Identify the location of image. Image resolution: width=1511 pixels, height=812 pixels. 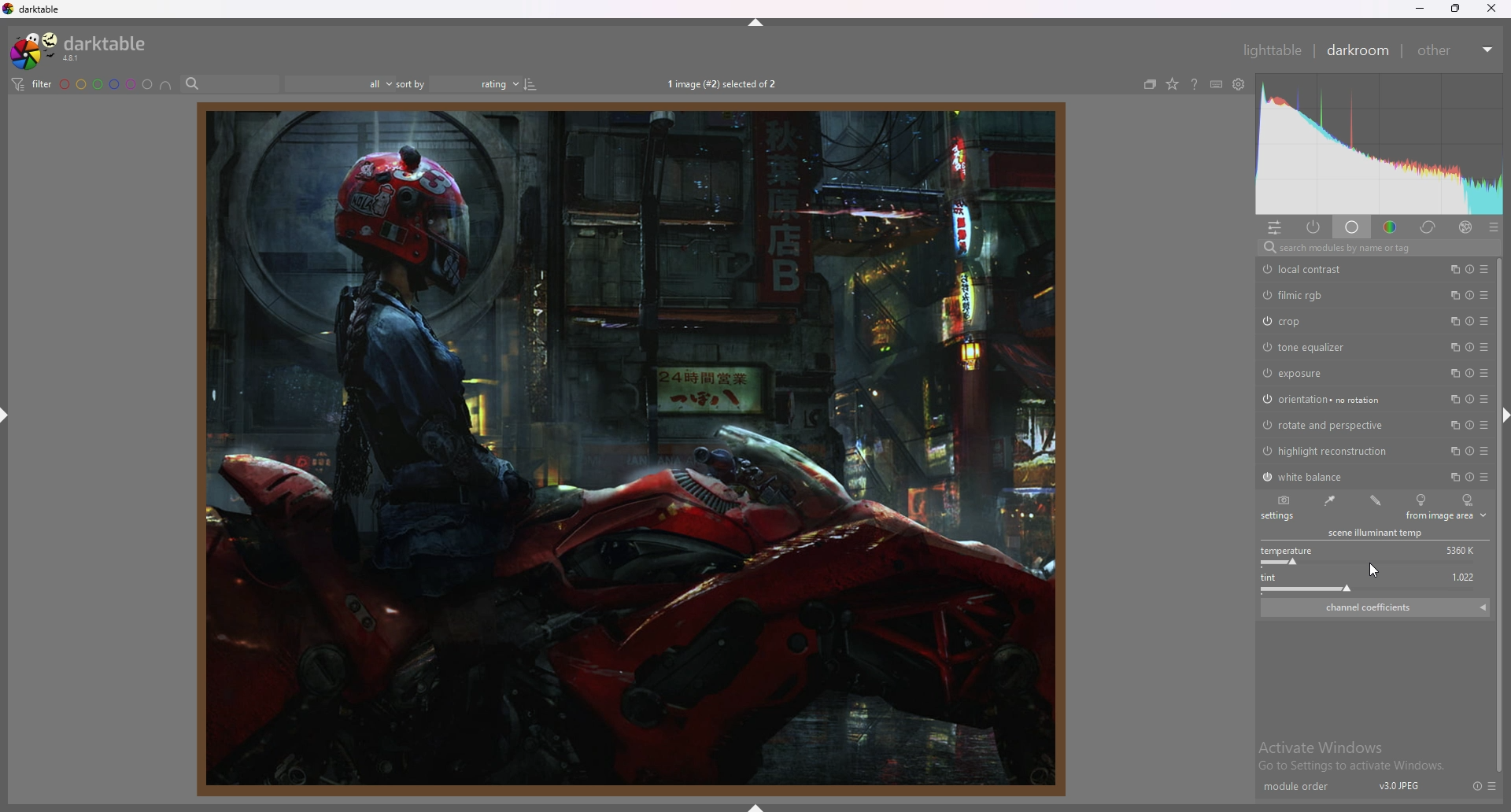
(628, 448).